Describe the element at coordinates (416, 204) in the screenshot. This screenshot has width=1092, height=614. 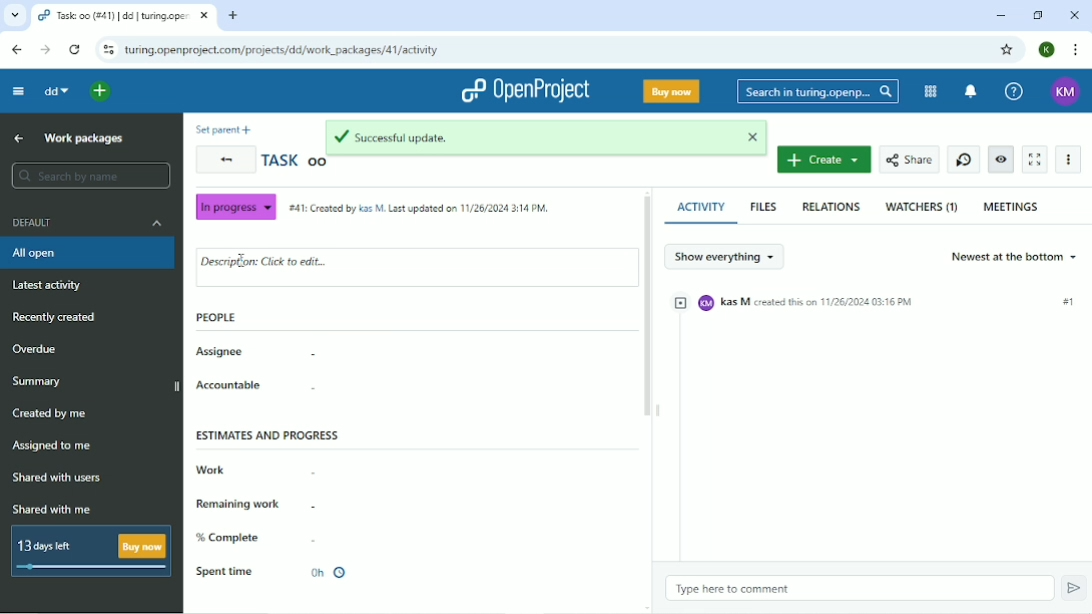
I see `#41: Created by Kas m. Last updated on 11/26/2024 3:14 PM .` at that location.